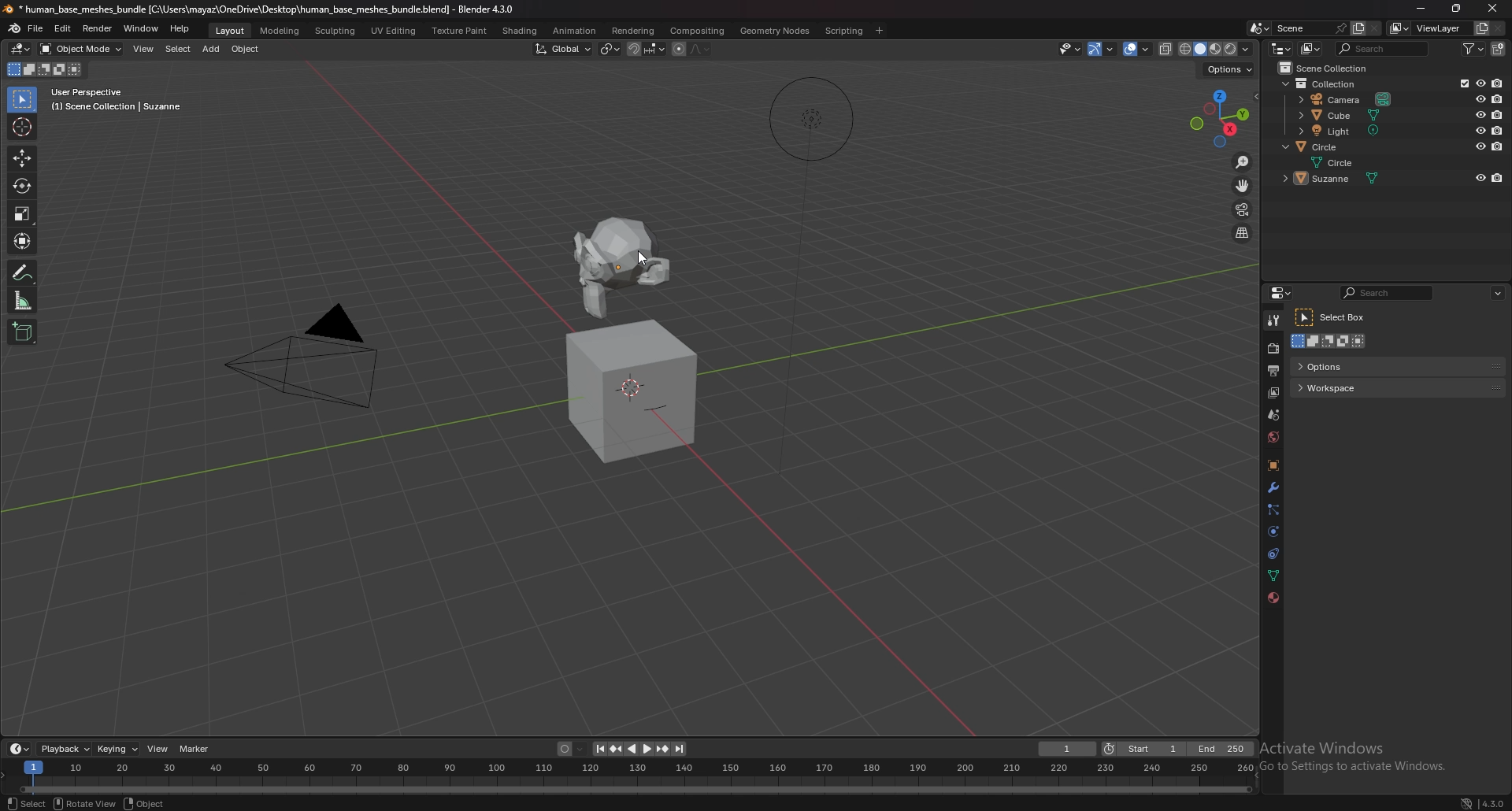  What do you see at coordinates (24, 272) in the screenshot?
I see `annotate` at bounding box center [24, 272].